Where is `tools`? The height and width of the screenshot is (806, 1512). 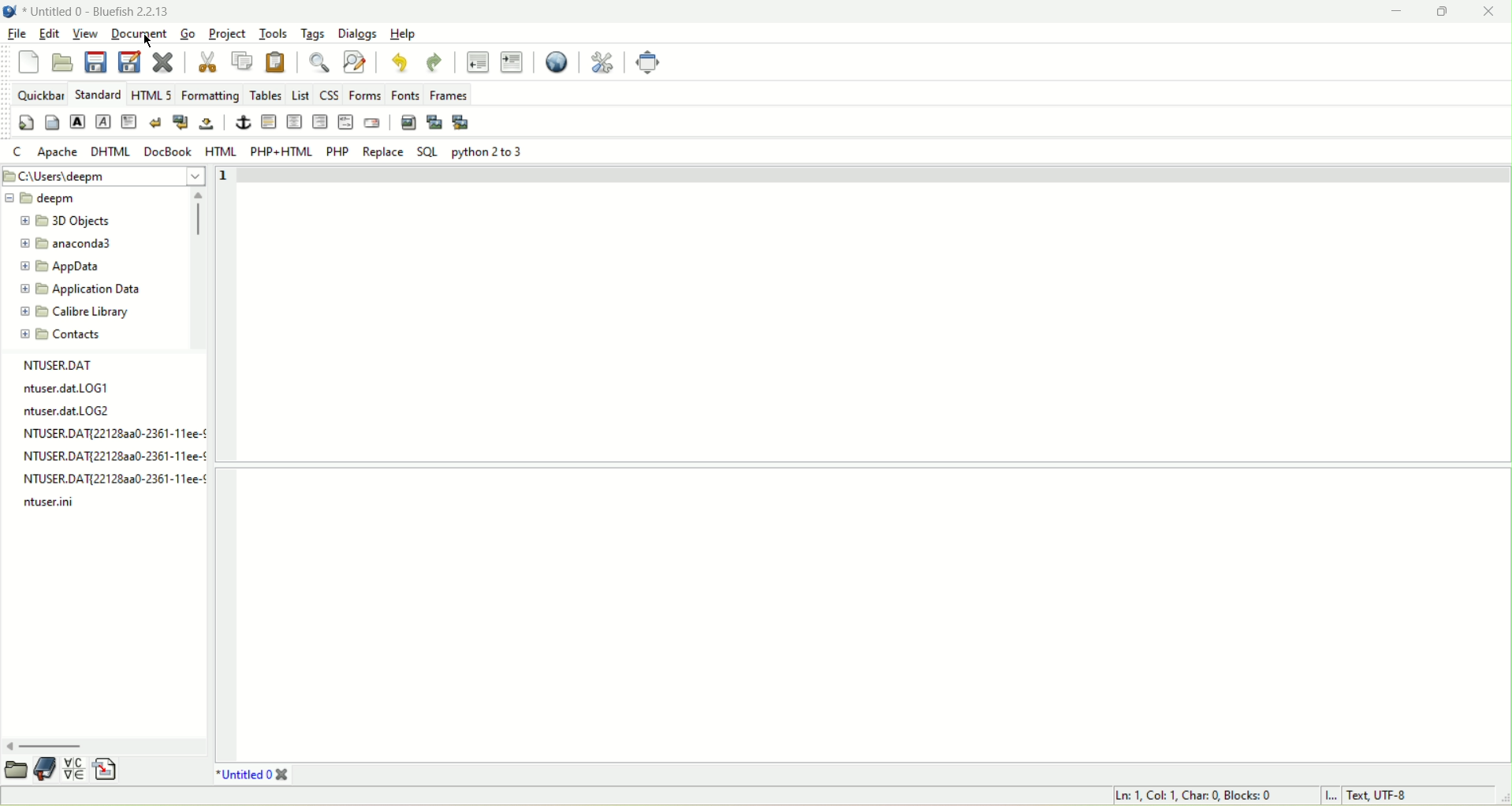
tools is located at coordinates (274, 35).